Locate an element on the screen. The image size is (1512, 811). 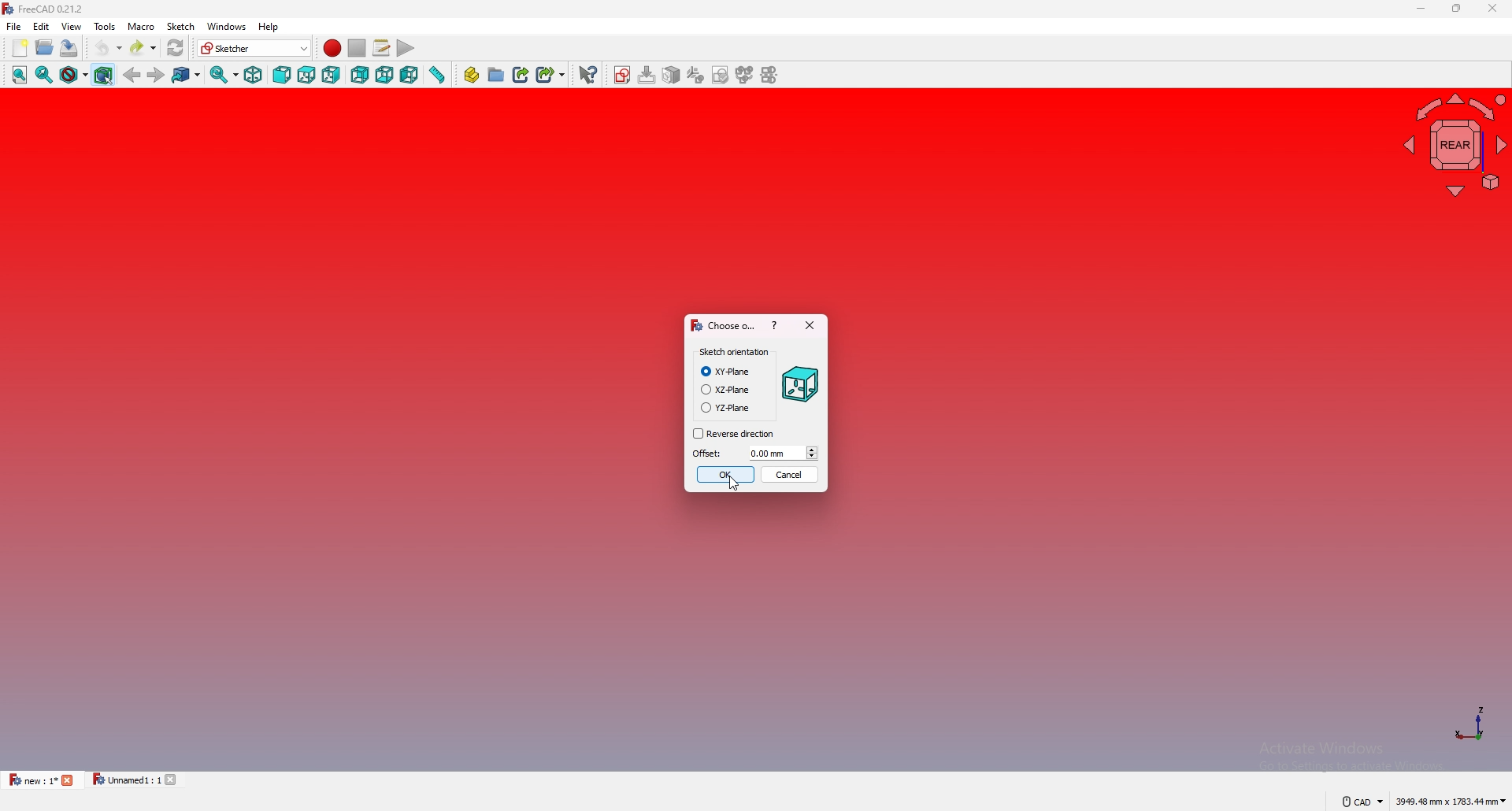
close is located at coordinates (807, 325).